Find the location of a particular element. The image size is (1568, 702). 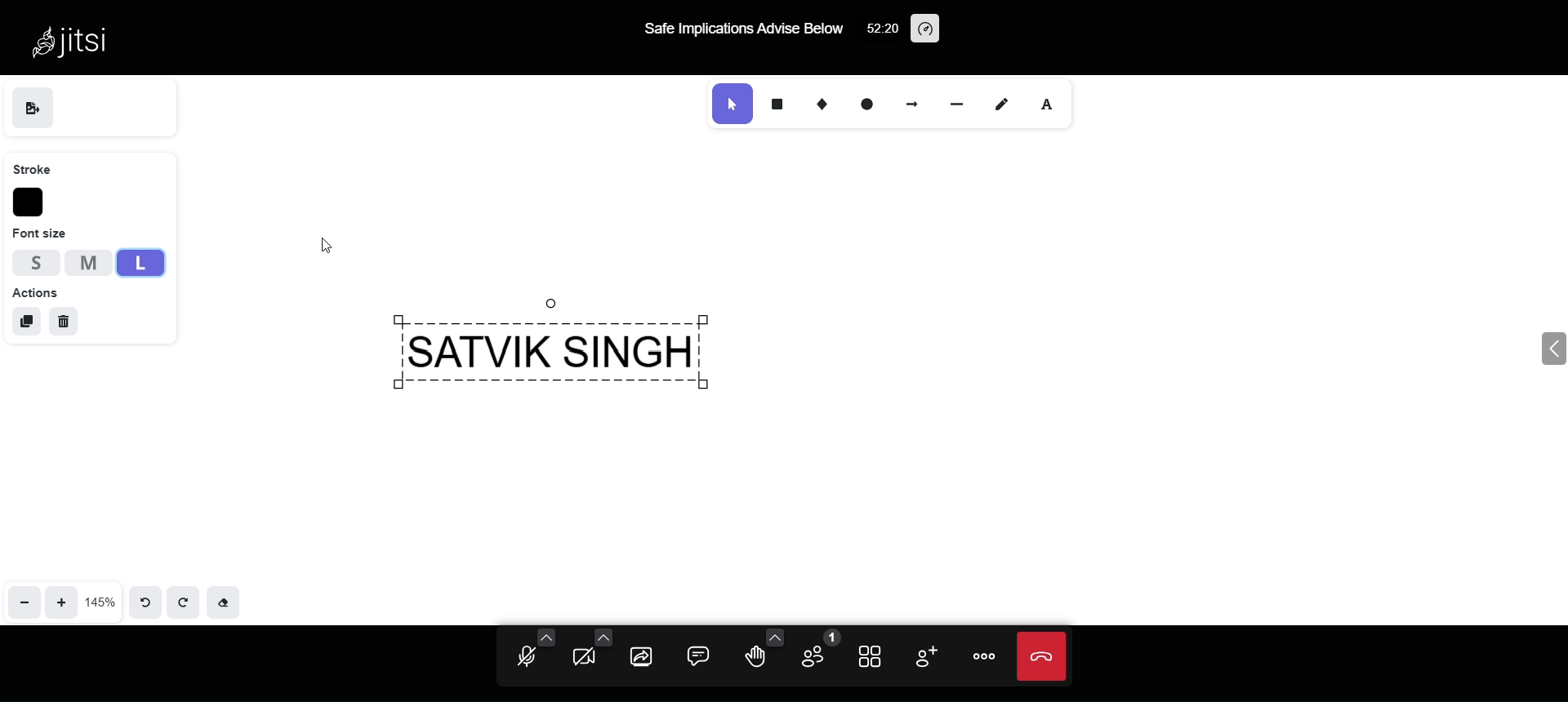

Diamond is located at coordinates (817, 102).